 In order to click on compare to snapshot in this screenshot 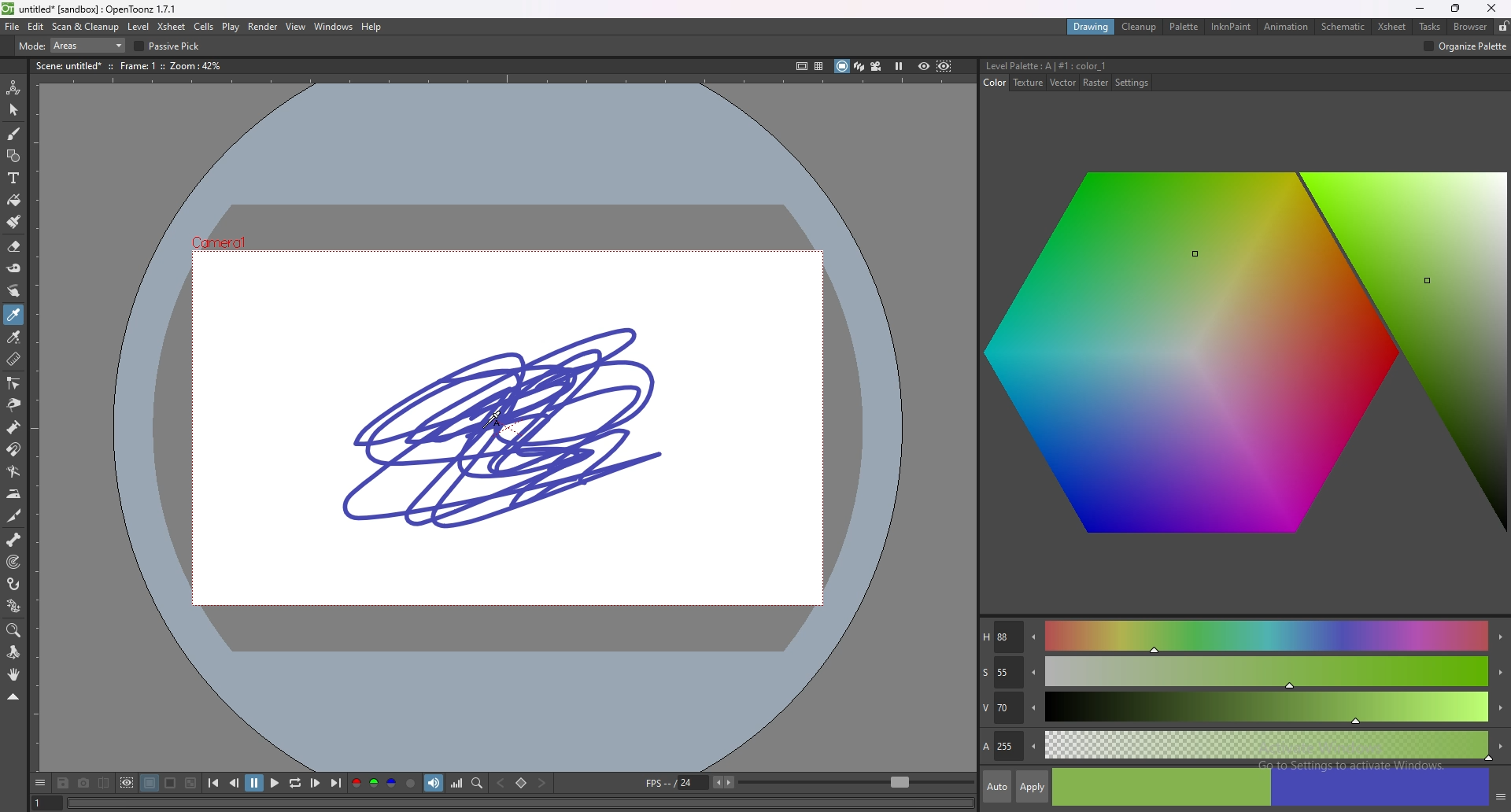, I will do `click(102, 783)`.